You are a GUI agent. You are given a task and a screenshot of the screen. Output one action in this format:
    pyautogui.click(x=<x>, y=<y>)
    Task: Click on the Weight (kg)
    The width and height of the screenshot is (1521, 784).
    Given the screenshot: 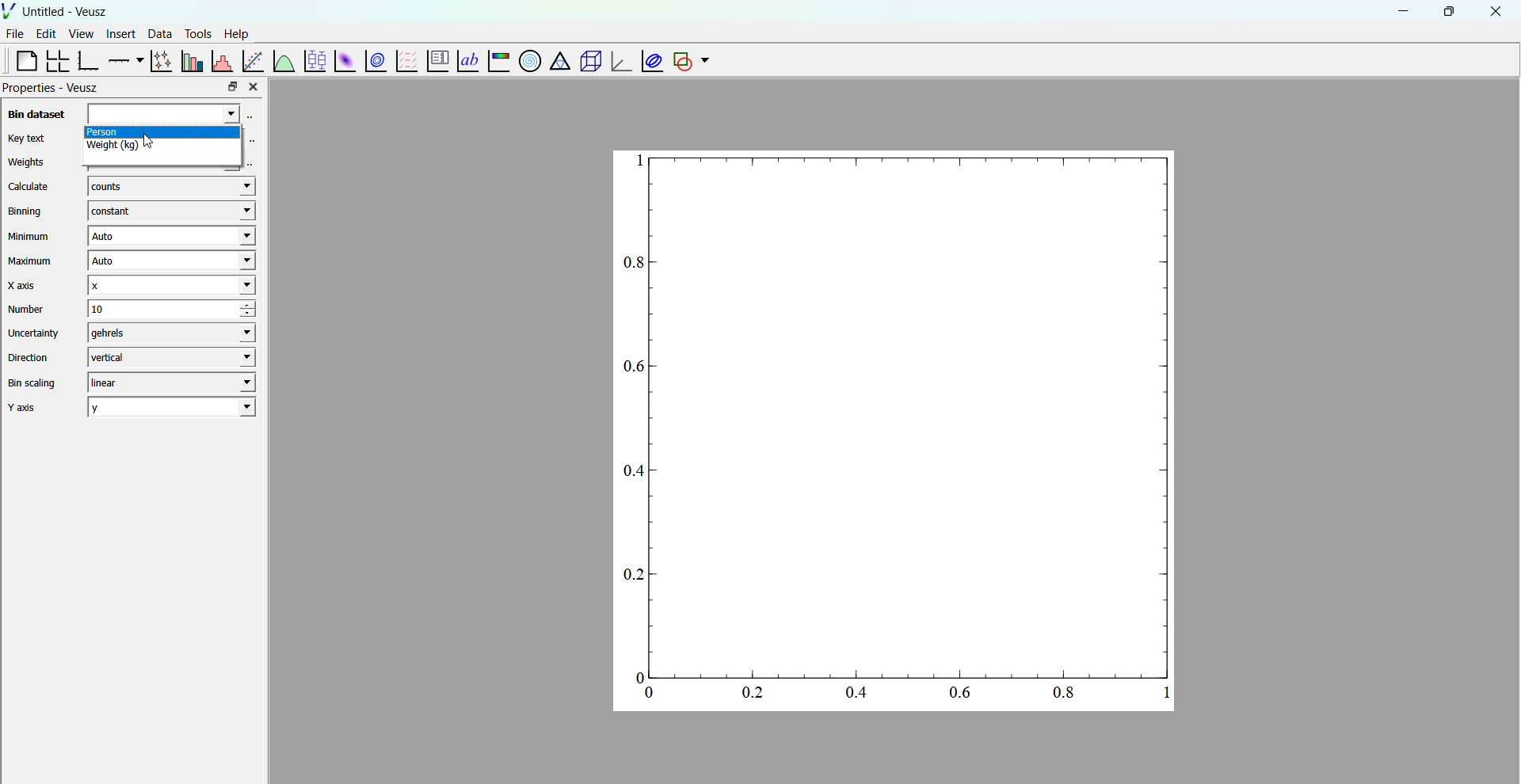 What is the action you would take?
    pyautogui.click(x=164, y=150)
    